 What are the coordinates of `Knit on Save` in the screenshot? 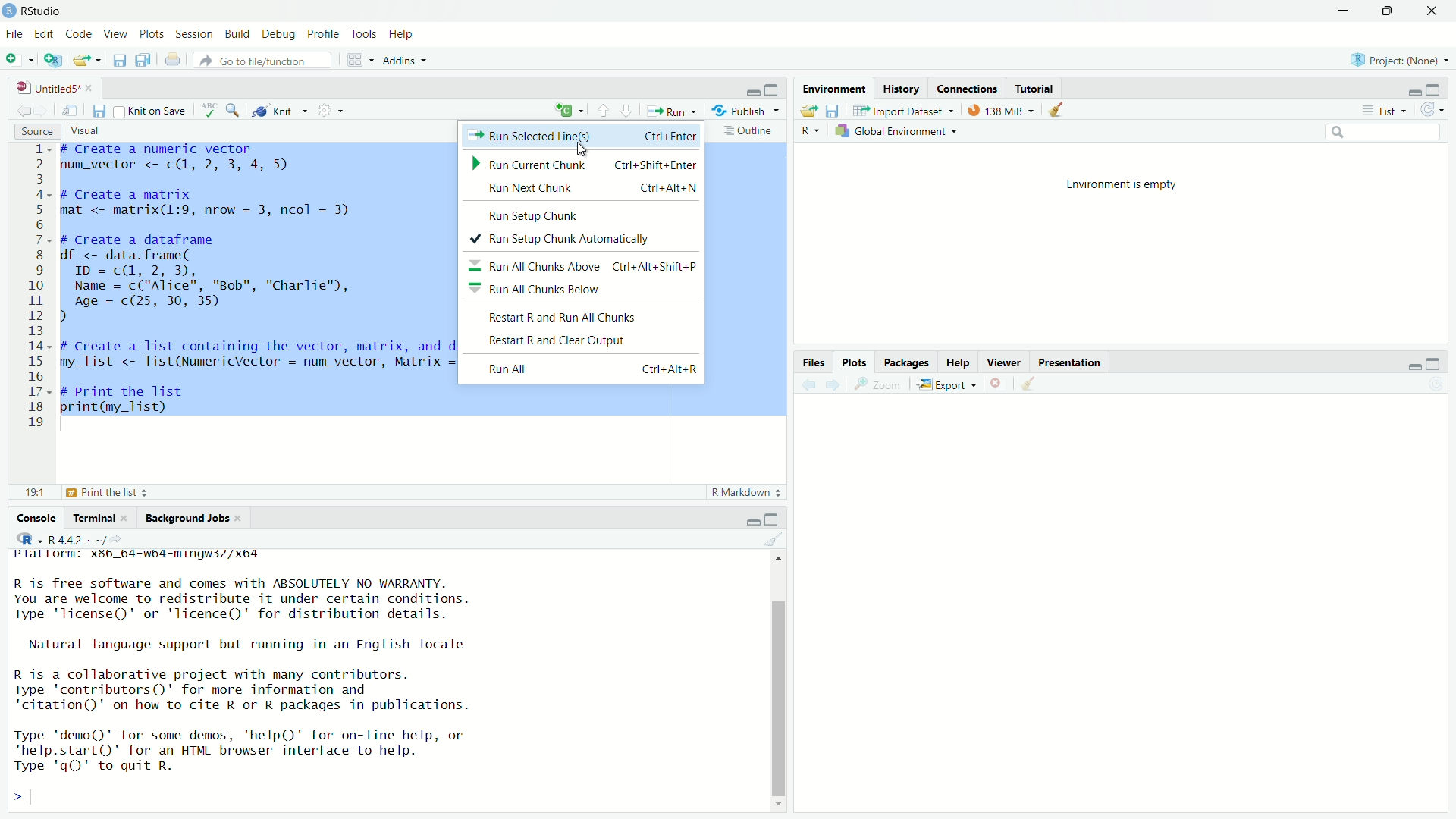 It's located at (148, 110).